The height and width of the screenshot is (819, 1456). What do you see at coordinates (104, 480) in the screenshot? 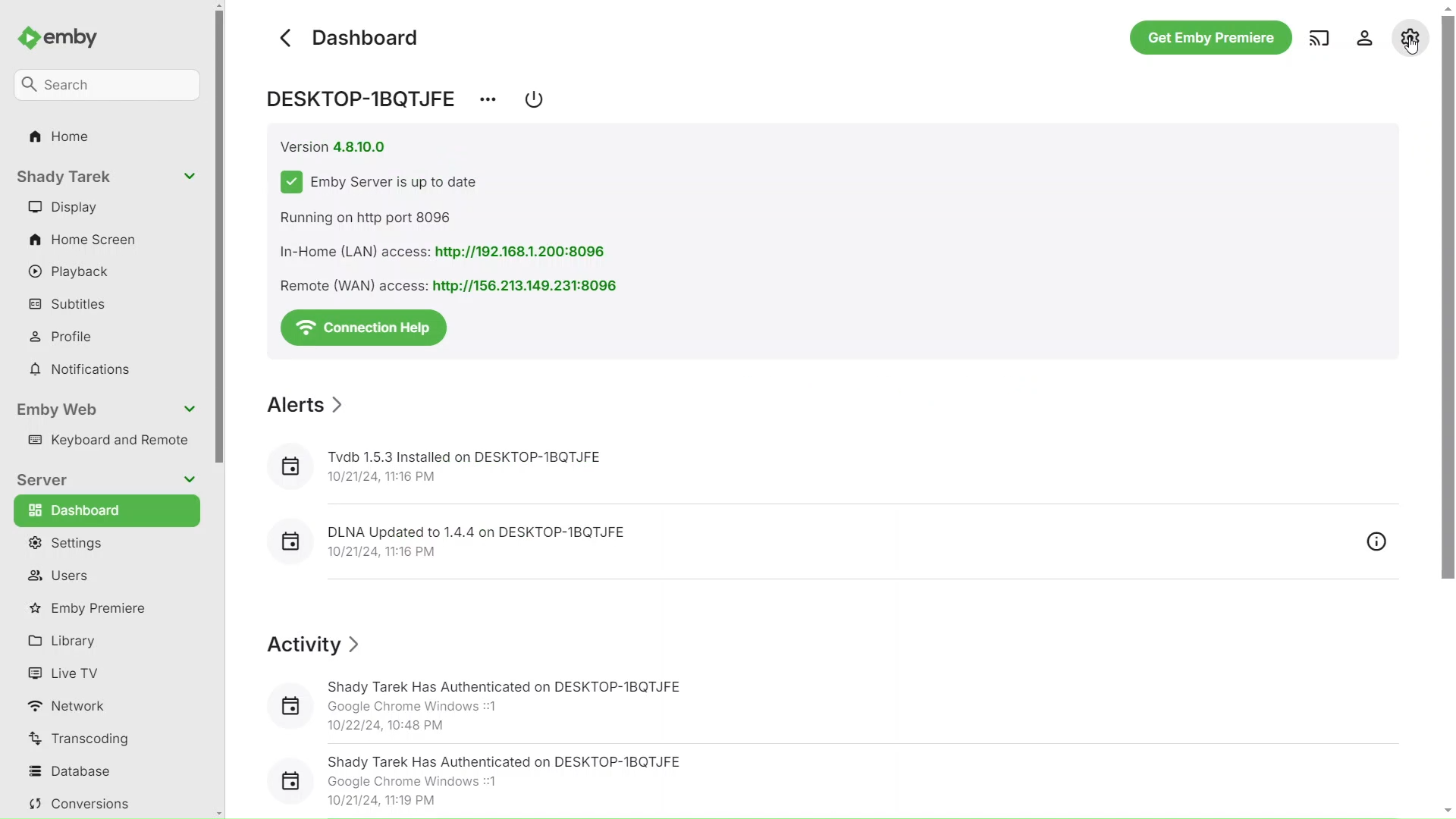
I see `Server` at bounding box center [104, 480].